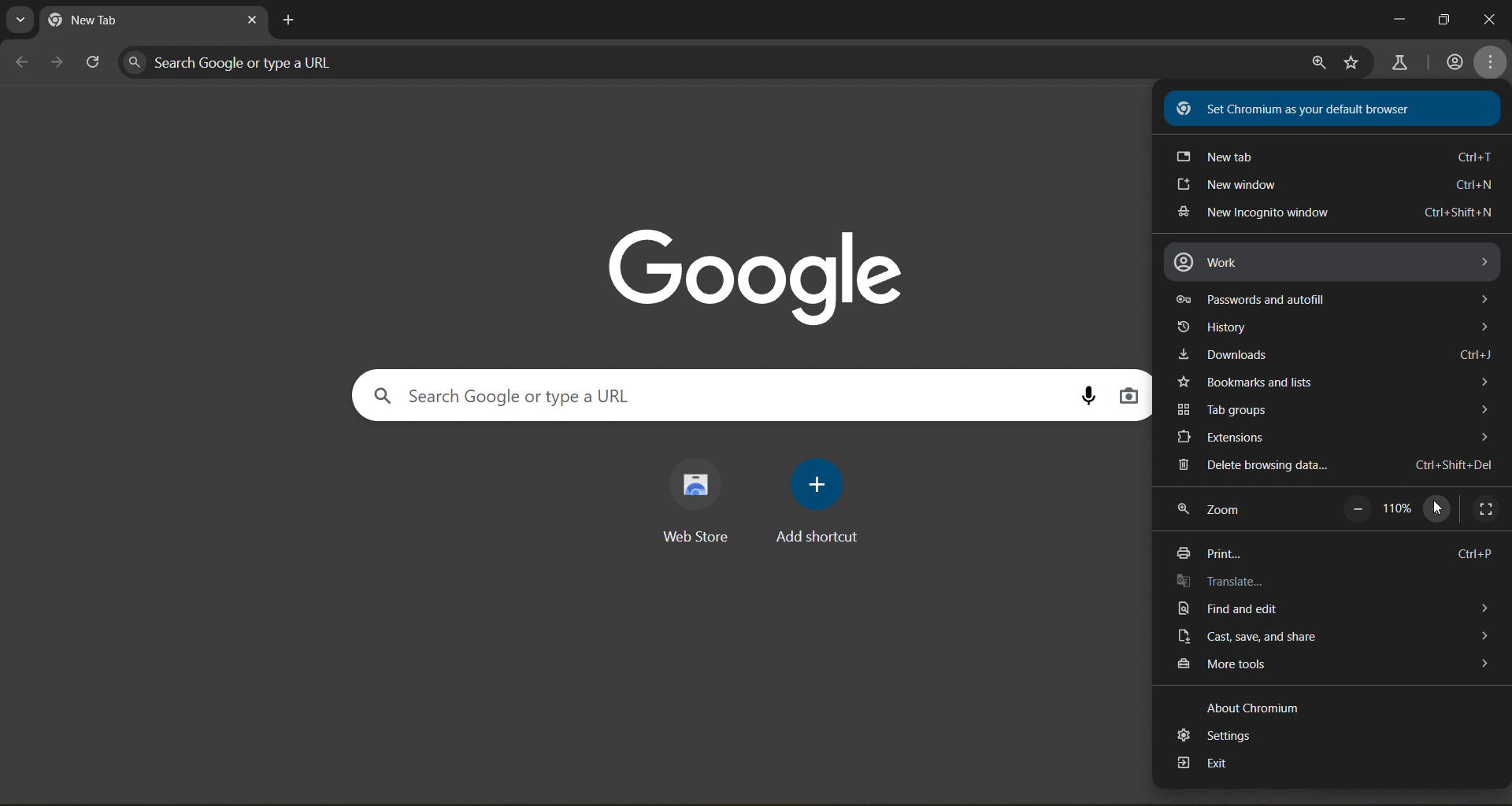 This screenshot has height=806, width=1512. I want to click on search panel, so click(240, 61).